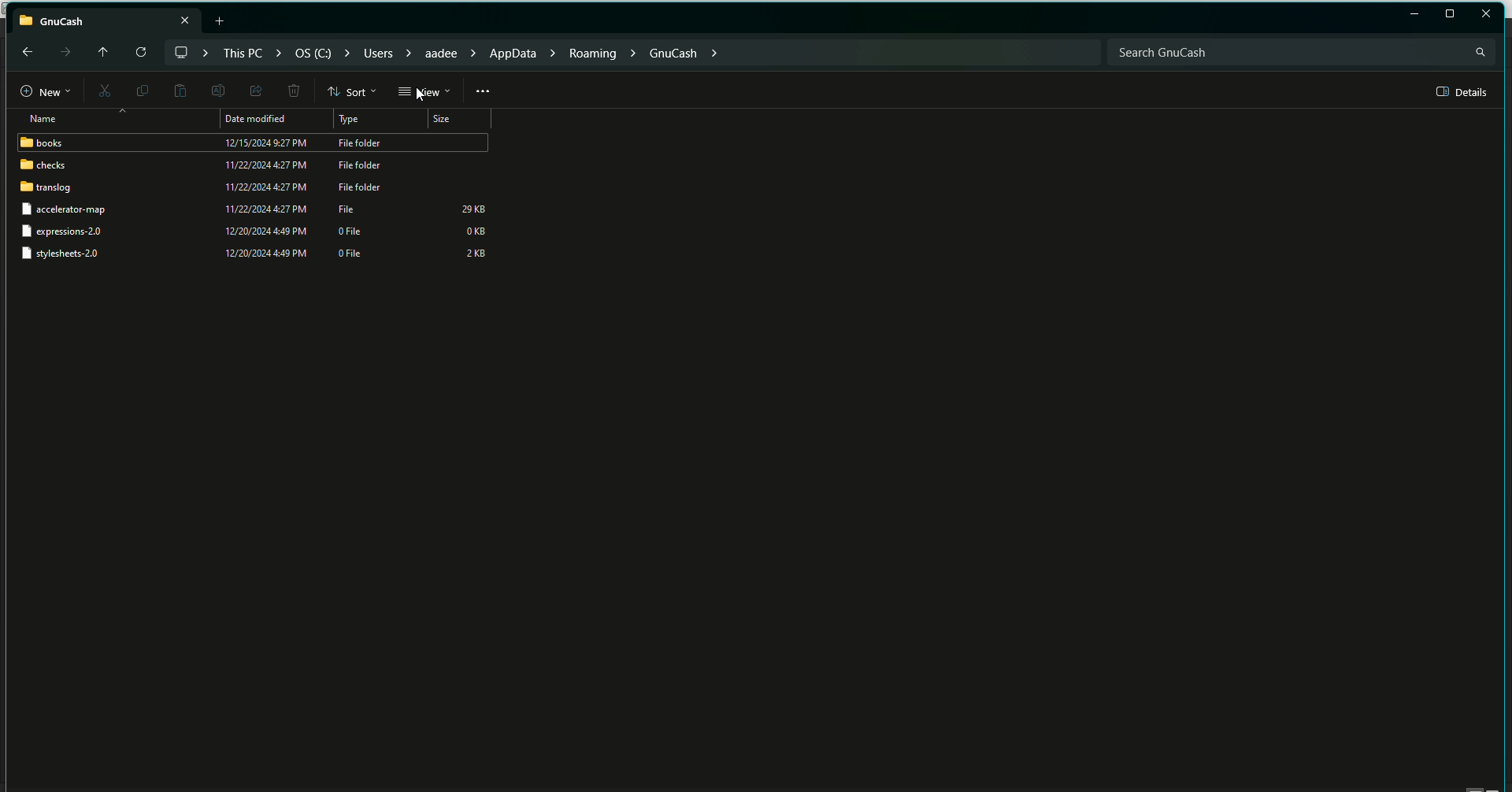 This screenshot has height=792, width=1512. Describe the element at coordinates (424, 94) in the screenshot. I see `Cursor` at that location.